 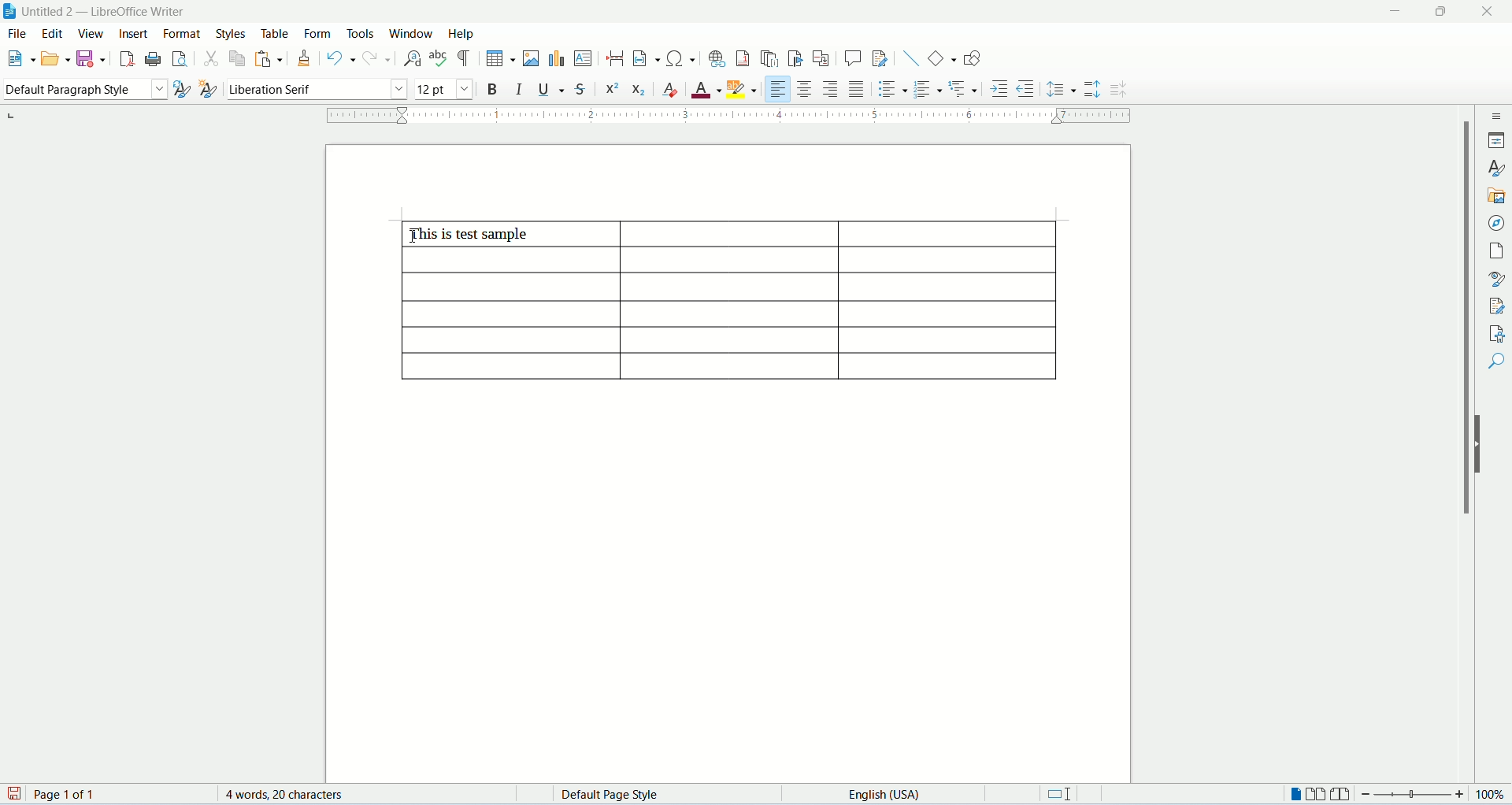 I want to click on strikethrough, so click(x=578, y=90).